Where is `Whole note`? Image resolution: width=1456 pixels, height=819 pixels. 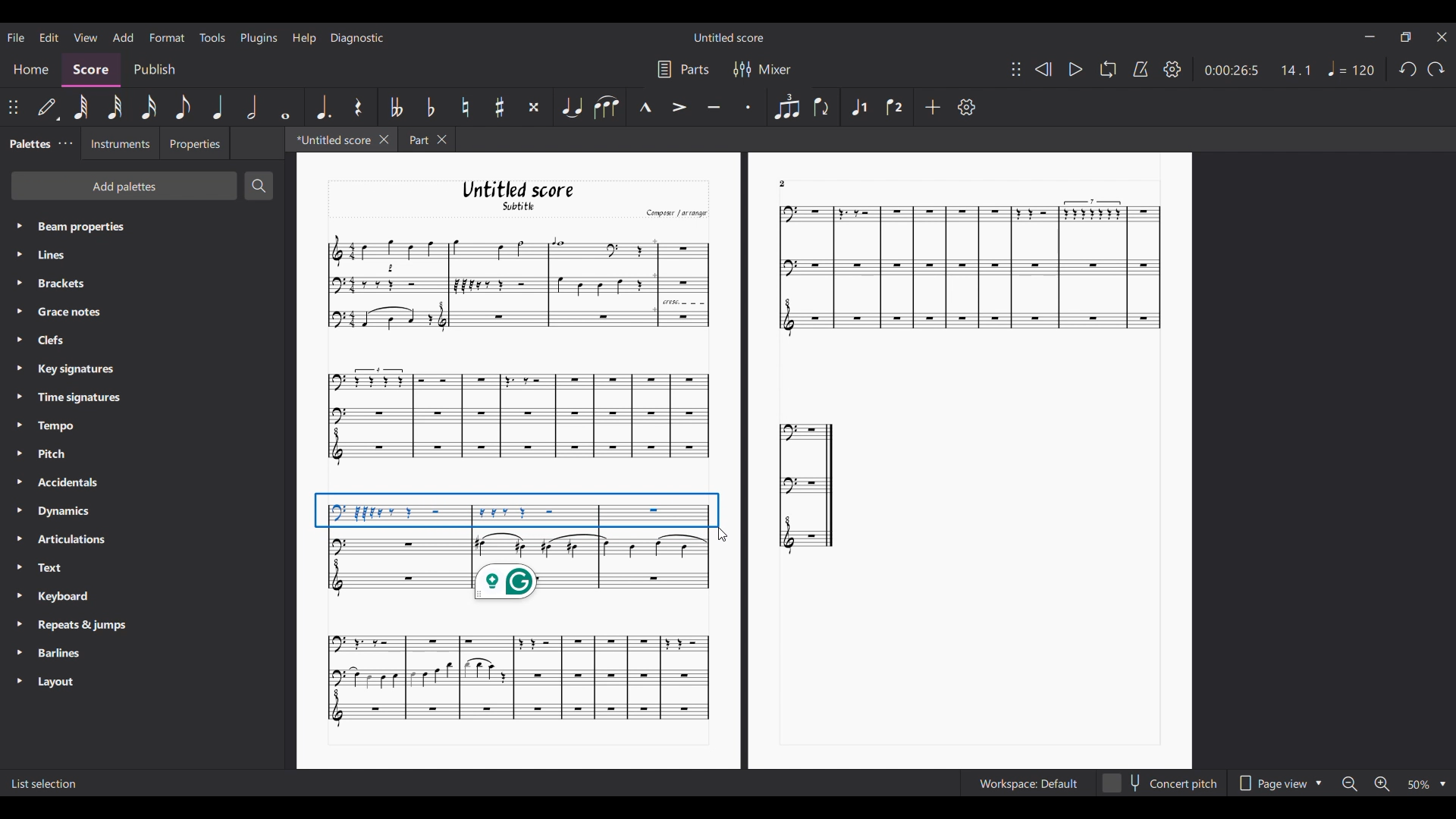
Whole note is located at coordinates (286, 108).